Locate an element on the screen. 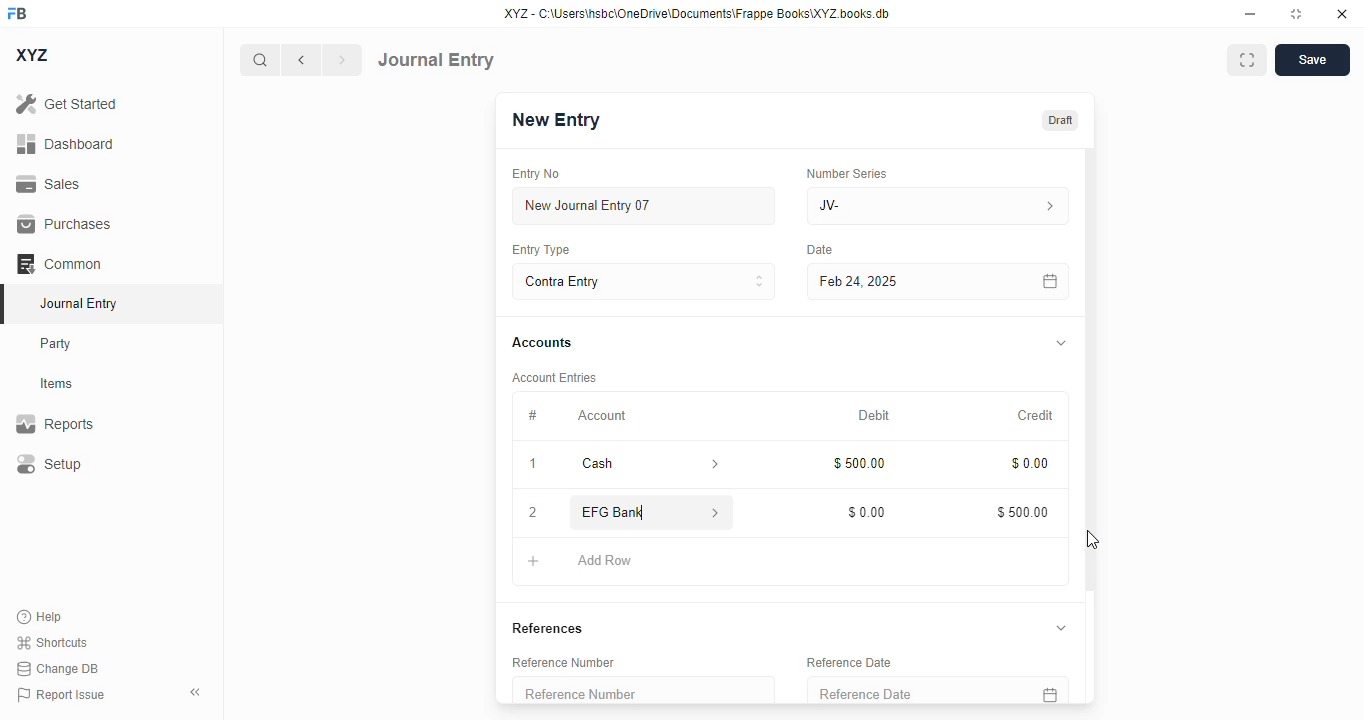 The image size is (1364, 720). account information is located at coordinates (712, 464).